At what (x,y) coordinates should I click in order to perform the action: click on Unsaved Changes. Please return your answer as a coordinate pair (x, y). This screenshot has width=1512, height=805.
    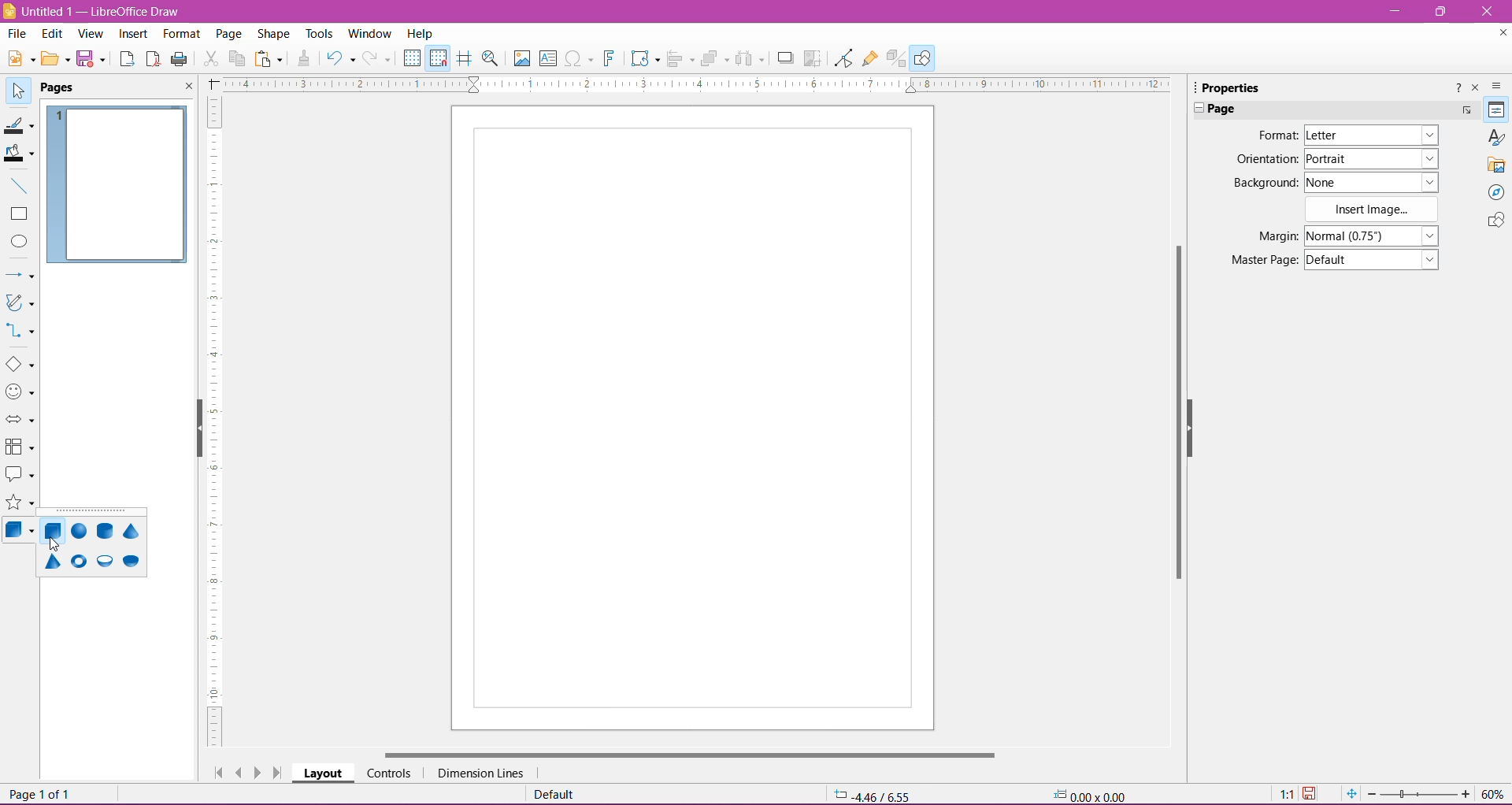
    Looking at the image, I should click on (1311, 795).